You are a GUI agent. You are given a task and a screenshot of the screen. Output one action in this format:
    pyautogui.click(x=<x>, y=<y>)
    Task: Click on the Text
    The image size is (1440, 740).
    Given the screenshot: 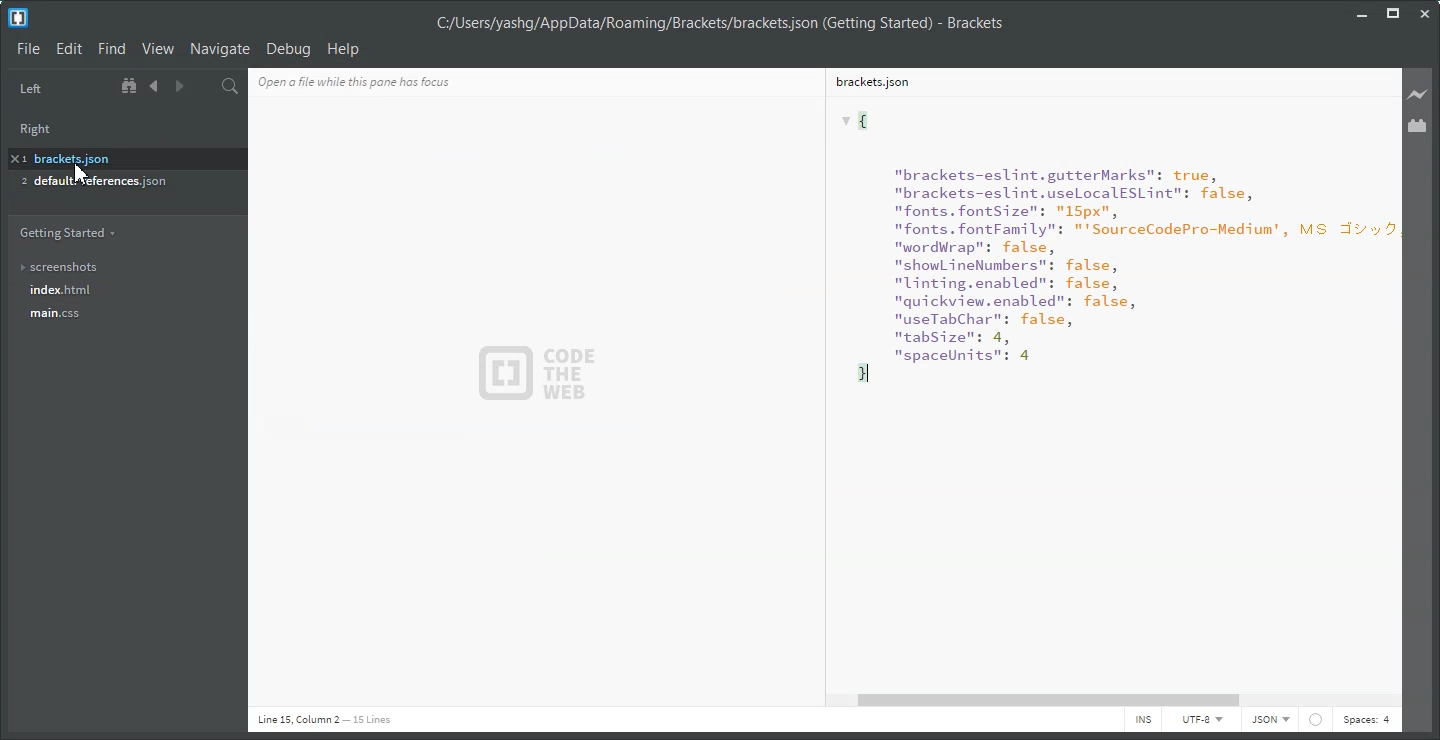 What is the action you would take?
    pyautogui.click(x=719, y=24)
    